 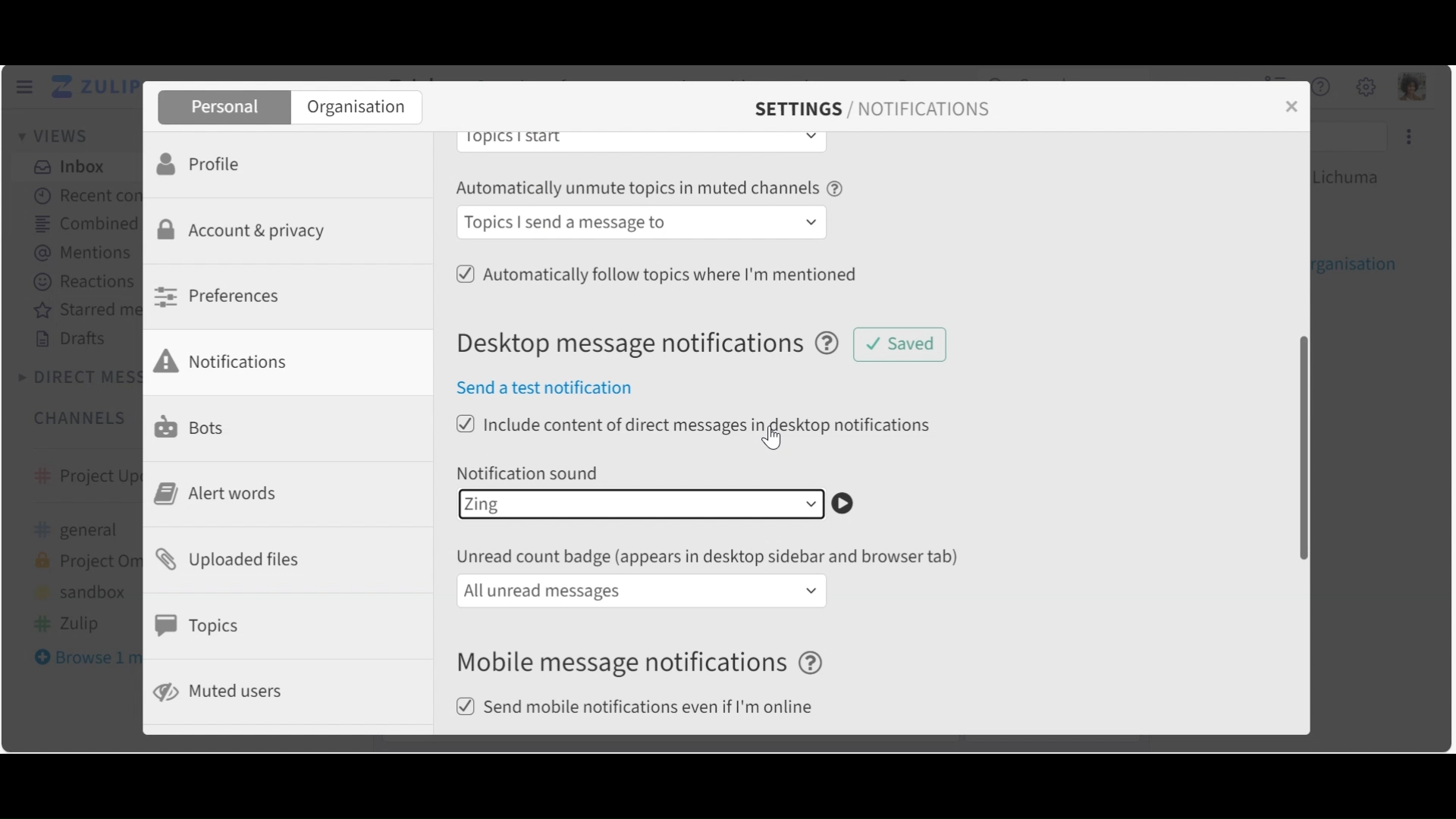 What do you see at coordinates (221, 692) in the screenshot?
I see `Muted users` at bounding box center [221, 692].